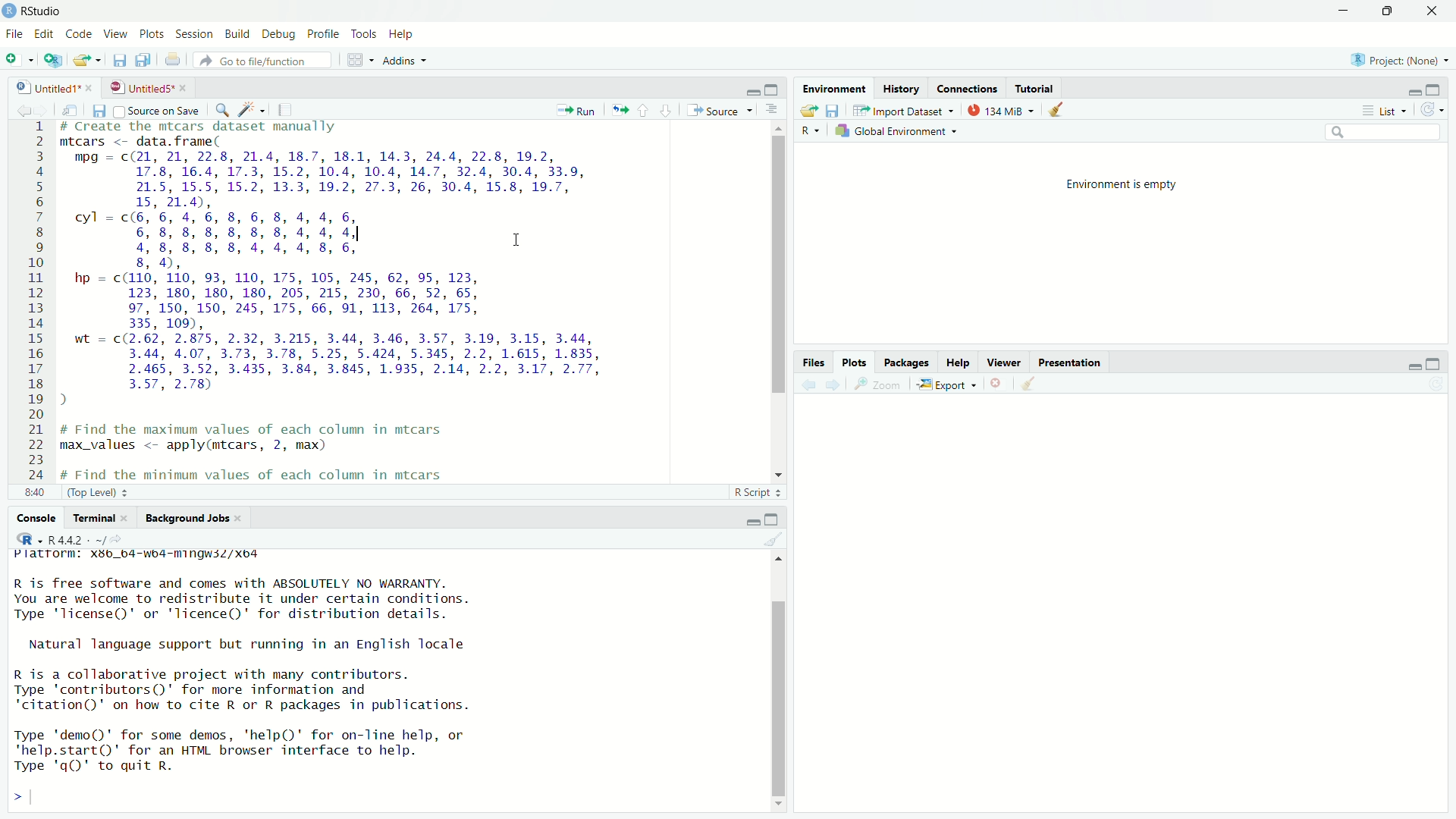 The height and width of the screenshot is (819, 1456). What do you see at coordinates (669, 110) in the screenshot?
I see `downaward` at bounding box center [669, 110].